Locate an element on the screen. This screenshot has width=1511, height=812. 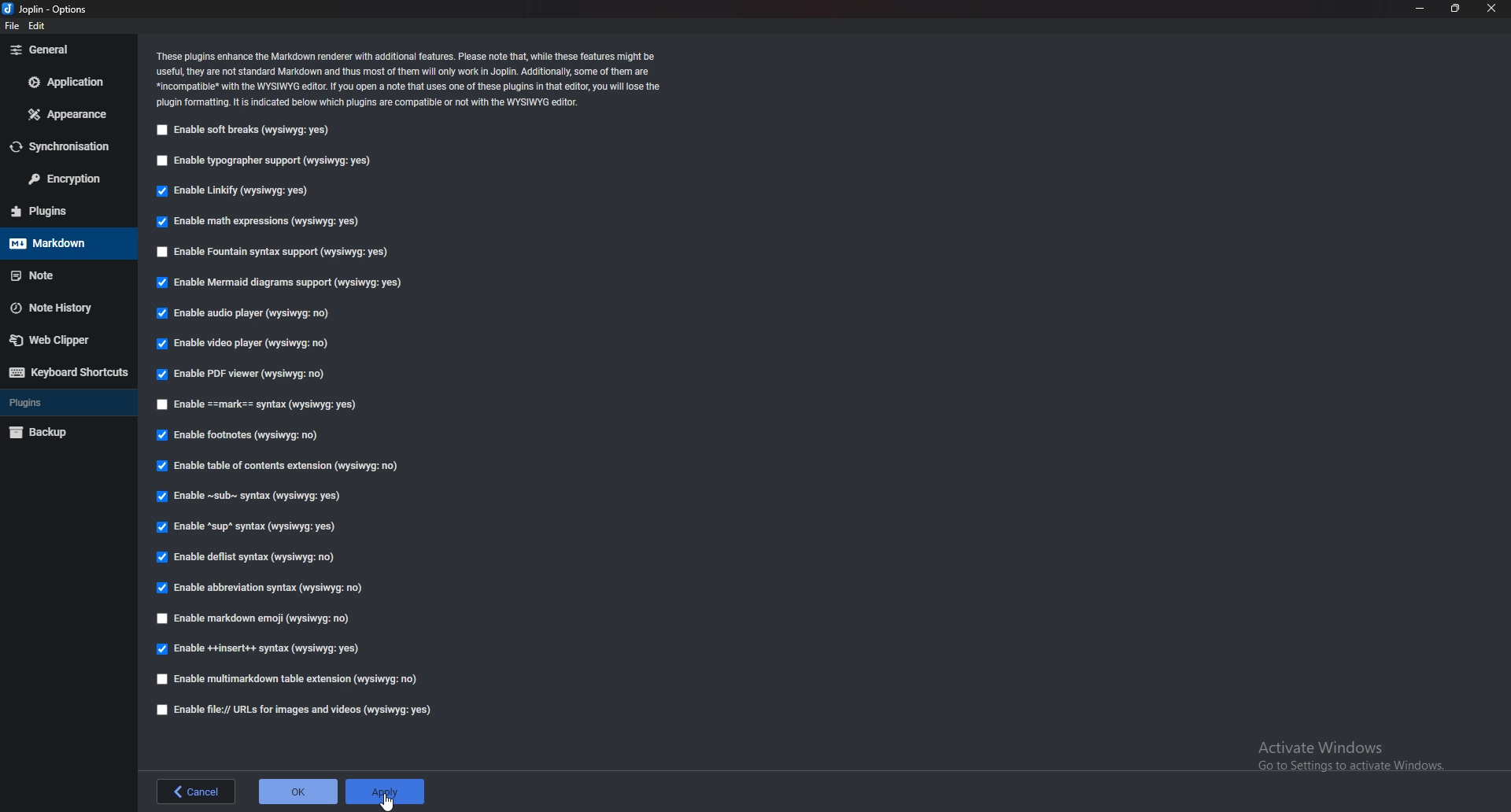
enable insert syntax is located at coordinates (259, 649).